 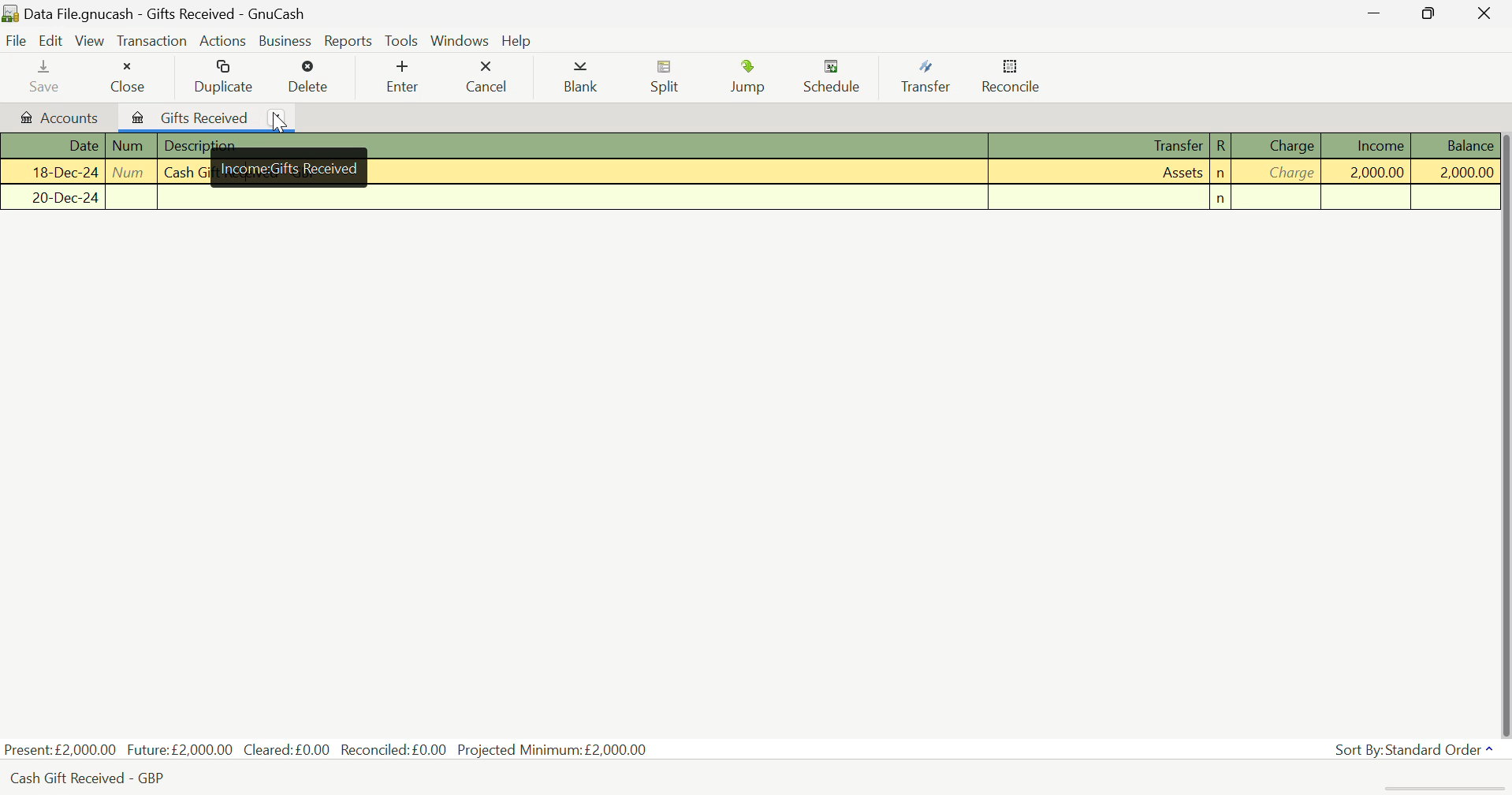 I want to click on Reconciled, so click(x=397, y=748).